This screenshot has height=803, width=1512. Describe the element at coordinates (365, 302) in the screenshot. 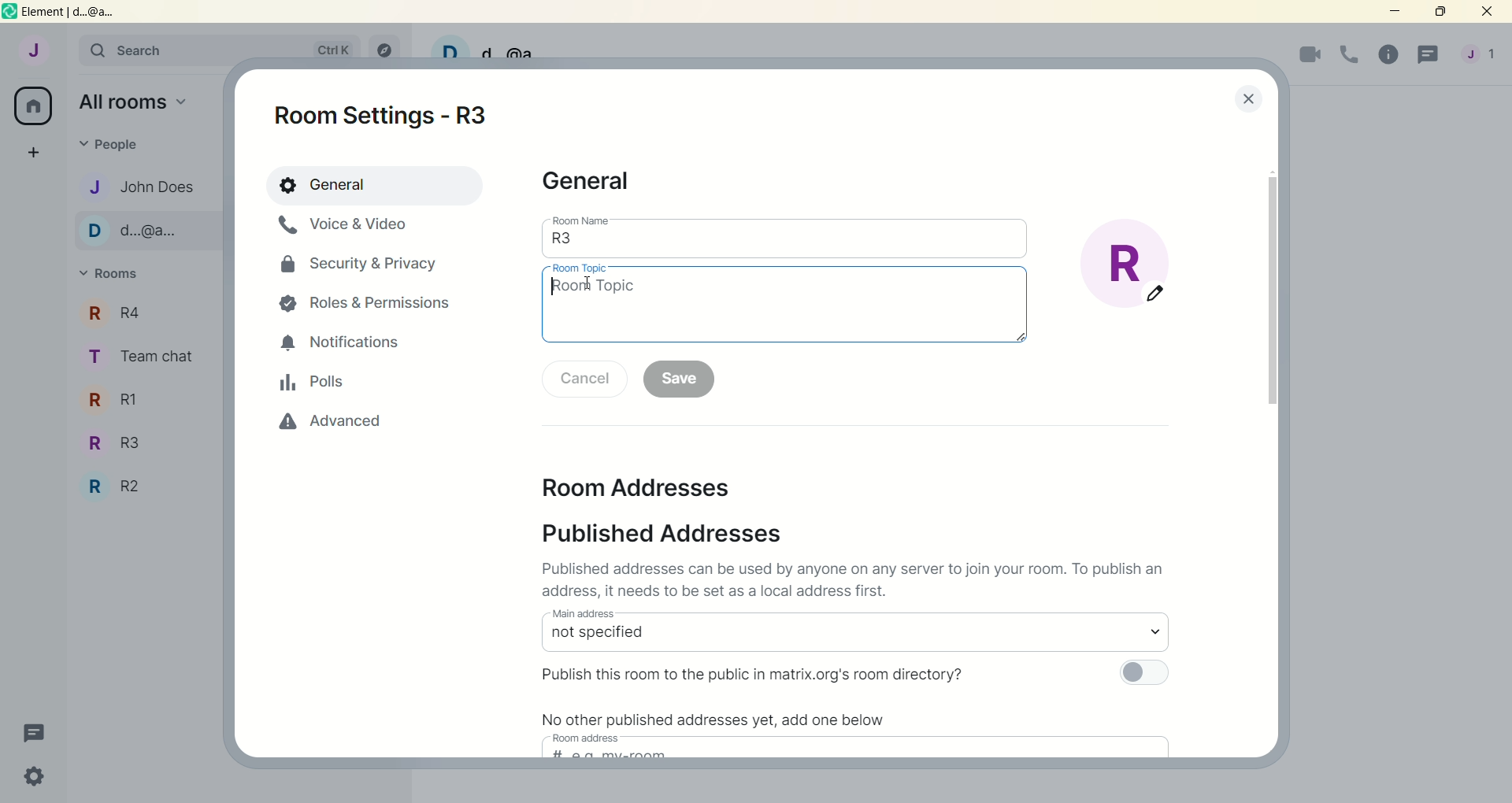

I see `roles and permissions` at that location.